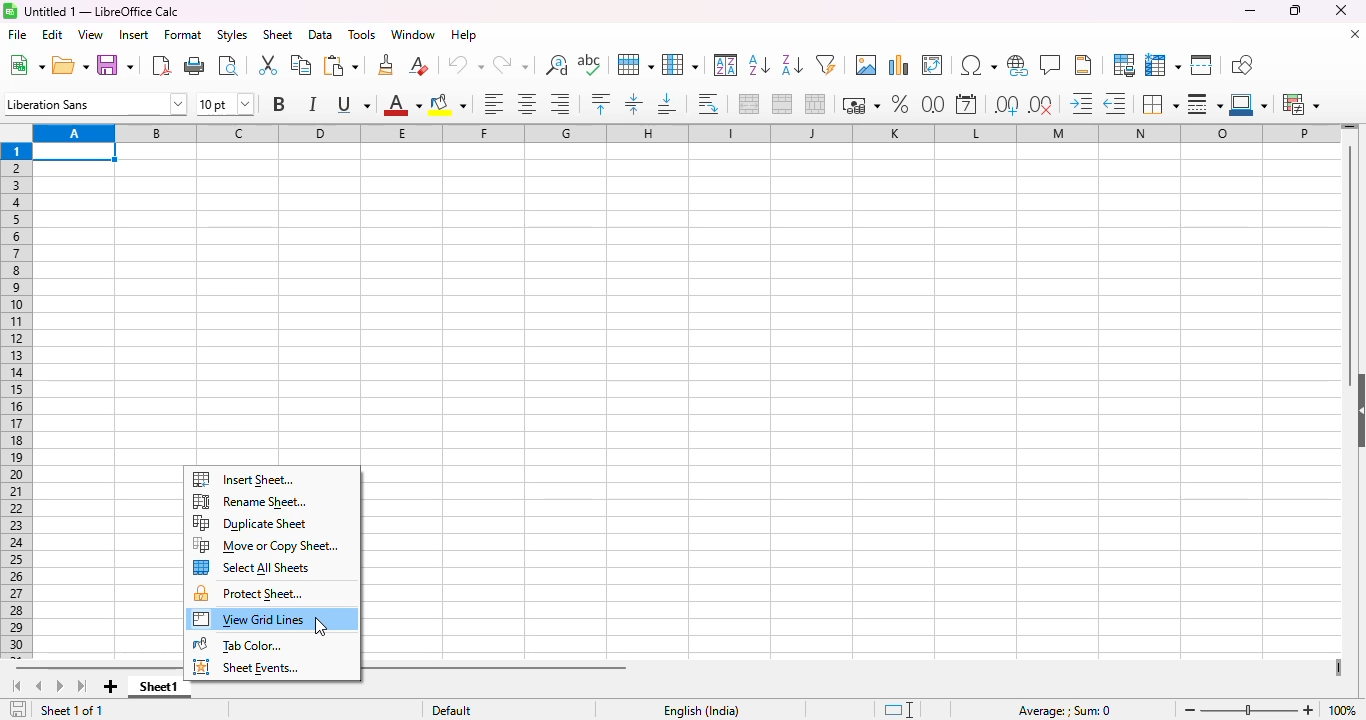 The height and width of the screenshot is (720, 1366). I want to click on cursor, so click(320, 626).